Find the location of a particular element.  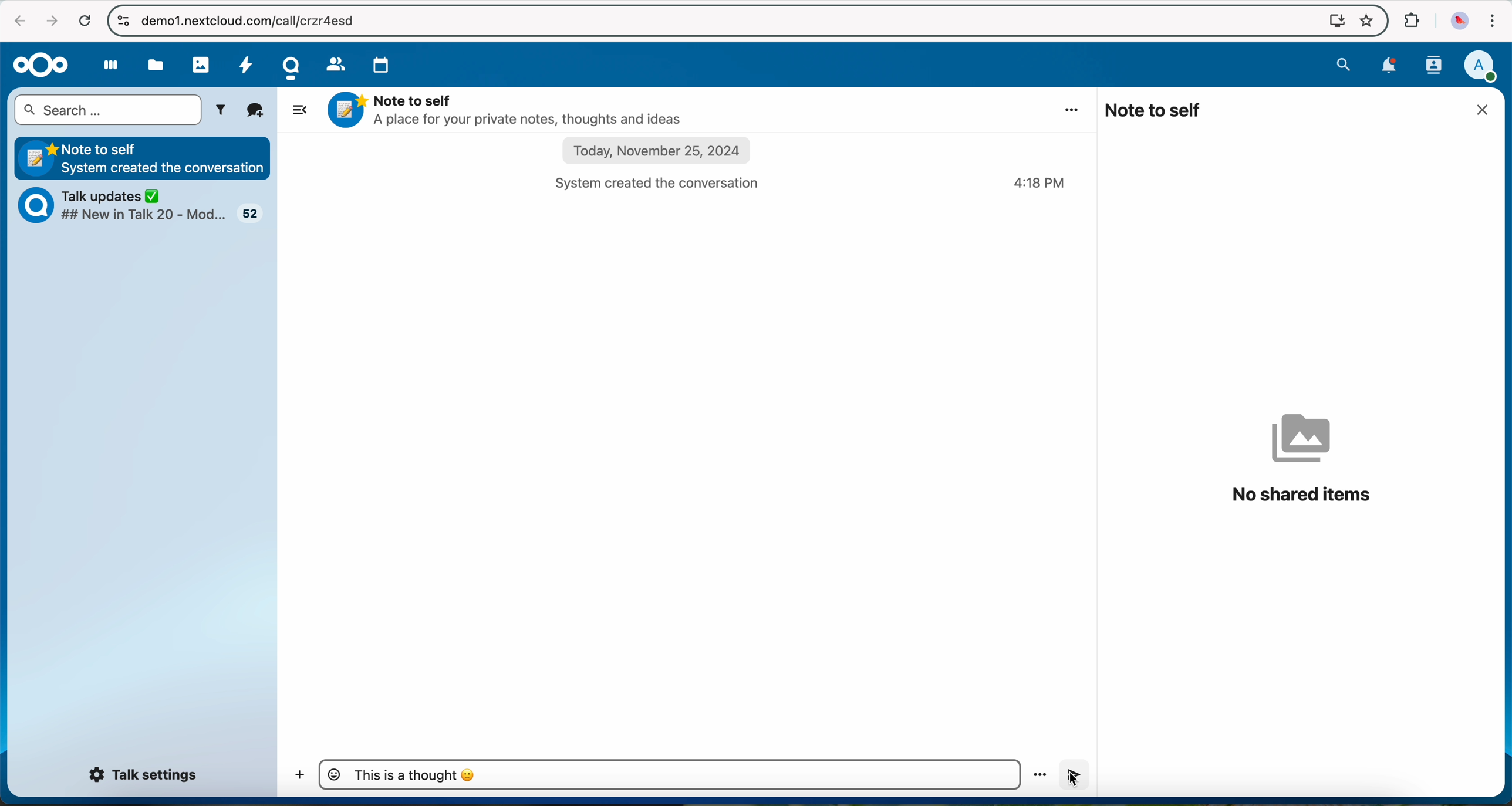

favorites is located at coordinates (1365, 21).